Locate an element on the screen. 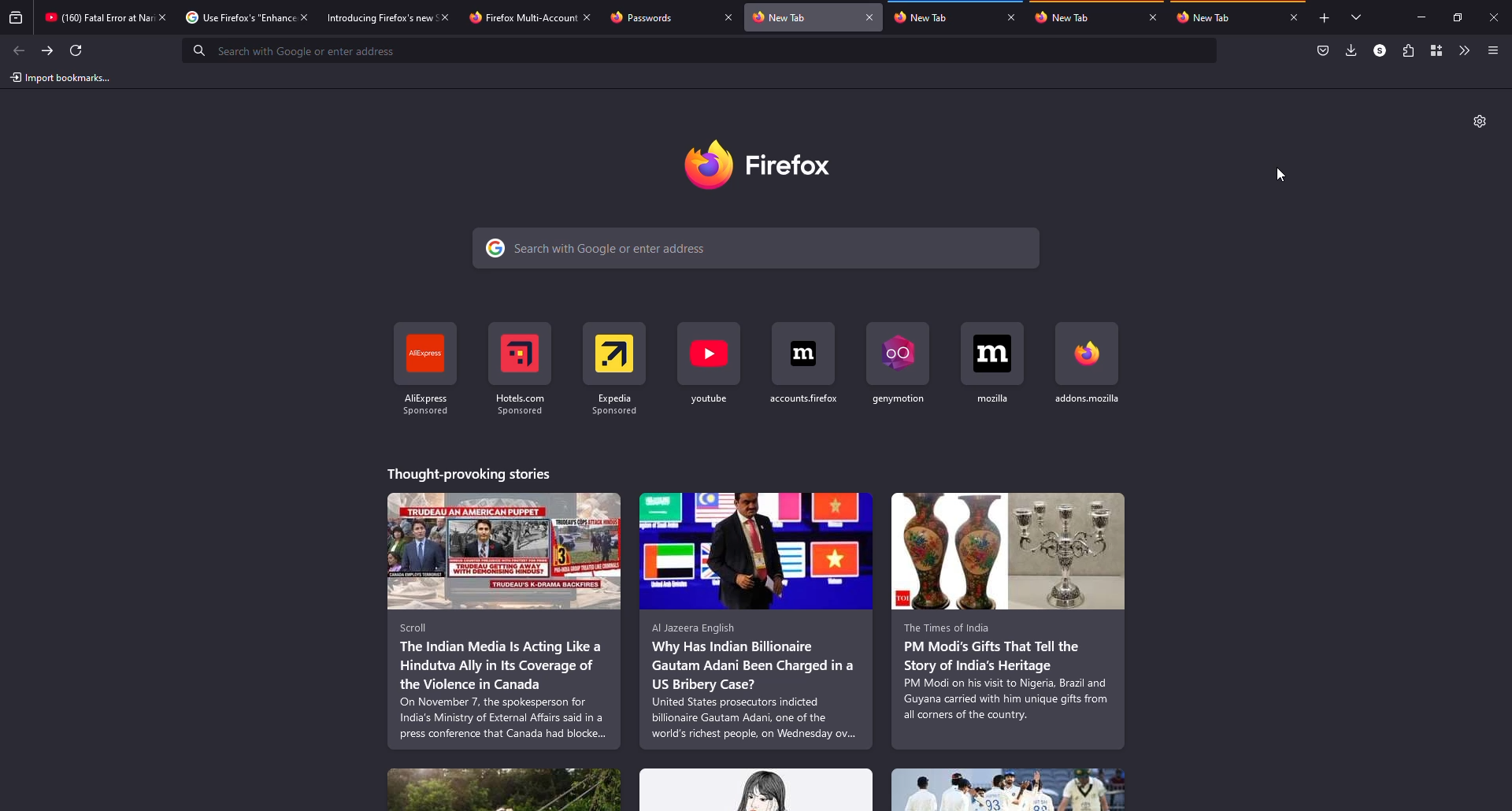 The width and height of the screenshot is (1512, 811).  is located at coordinates (1010, 619).